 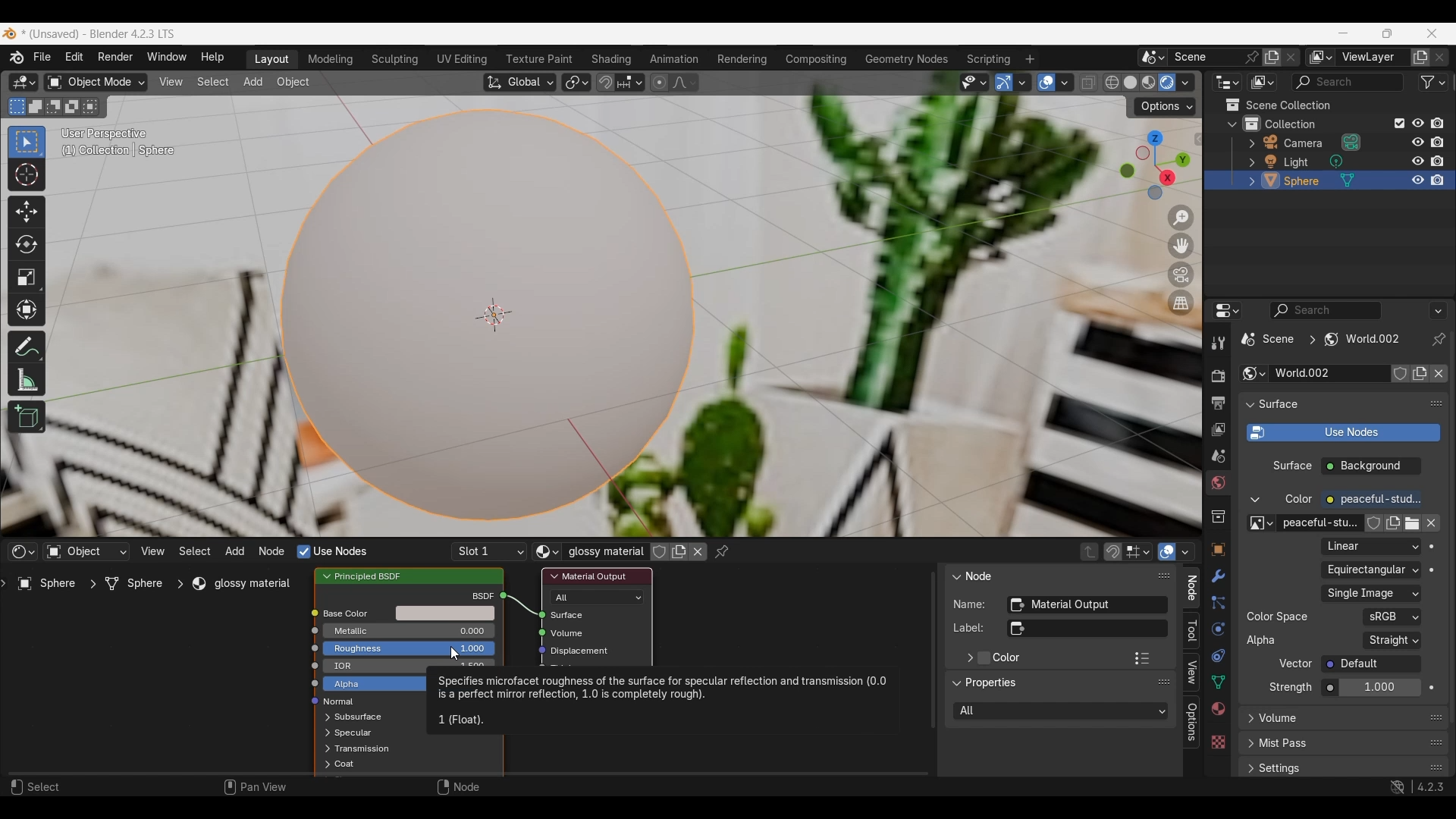 What do you see at coordinates (24, 82) in the screenshot?
I see `Editor type` at bounding box center [24, 82].